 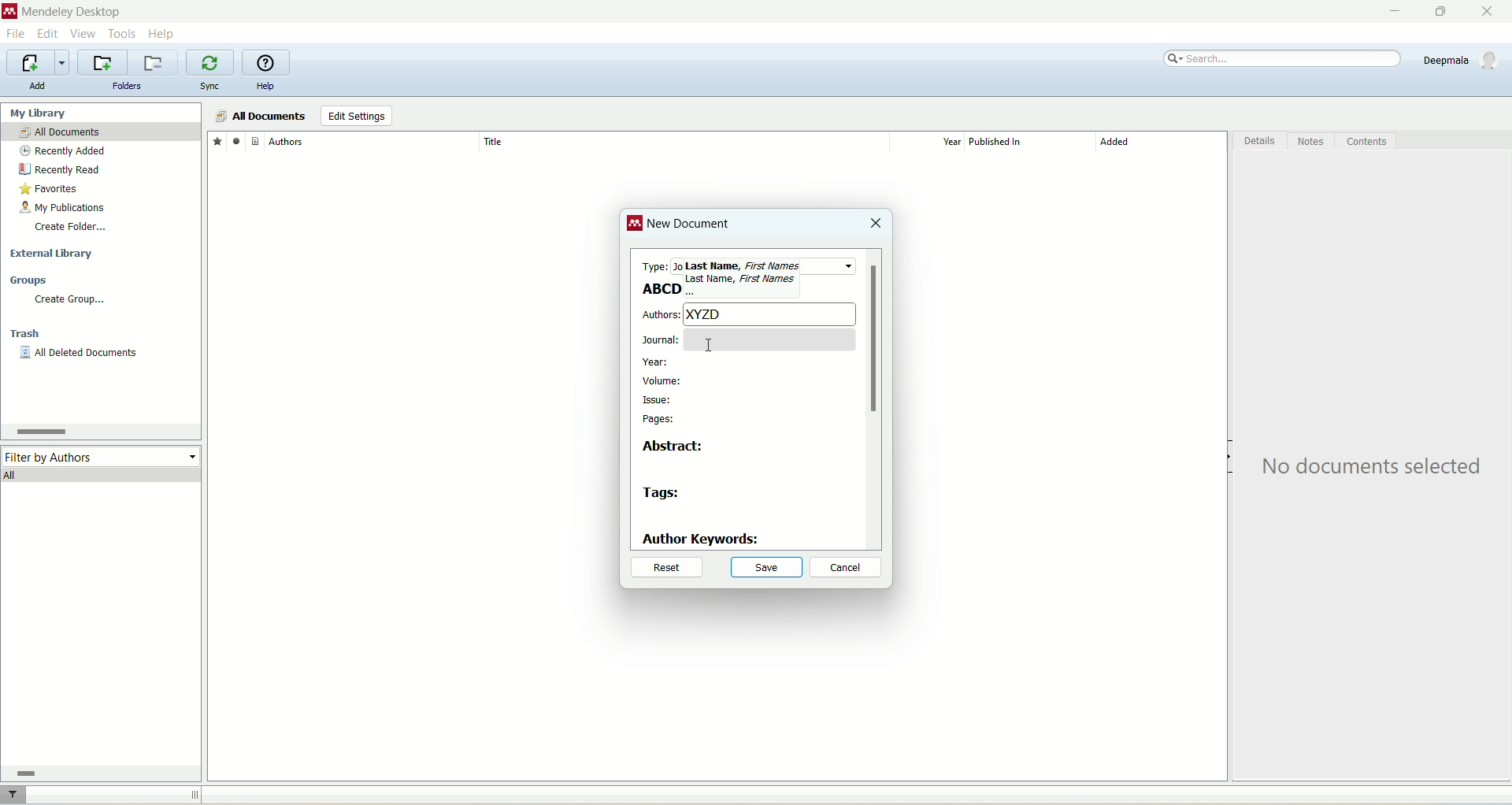 What do you see at coordinates (663, 495) in the screenshot?
I see `tags` at bounding box center [663, 495].